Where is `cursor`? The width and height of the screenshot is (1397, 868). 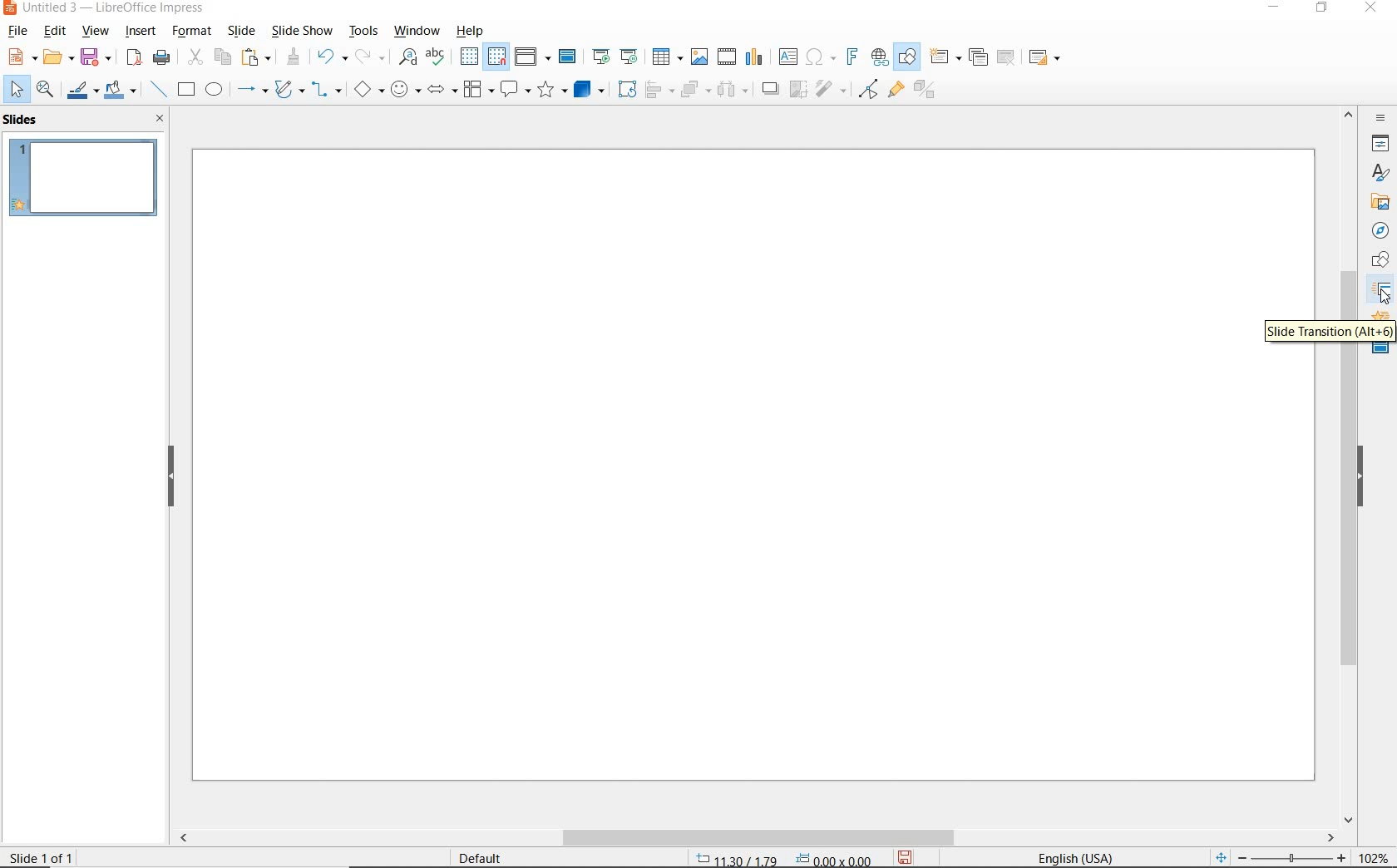 cursor is located at coordinates (1385, 298).